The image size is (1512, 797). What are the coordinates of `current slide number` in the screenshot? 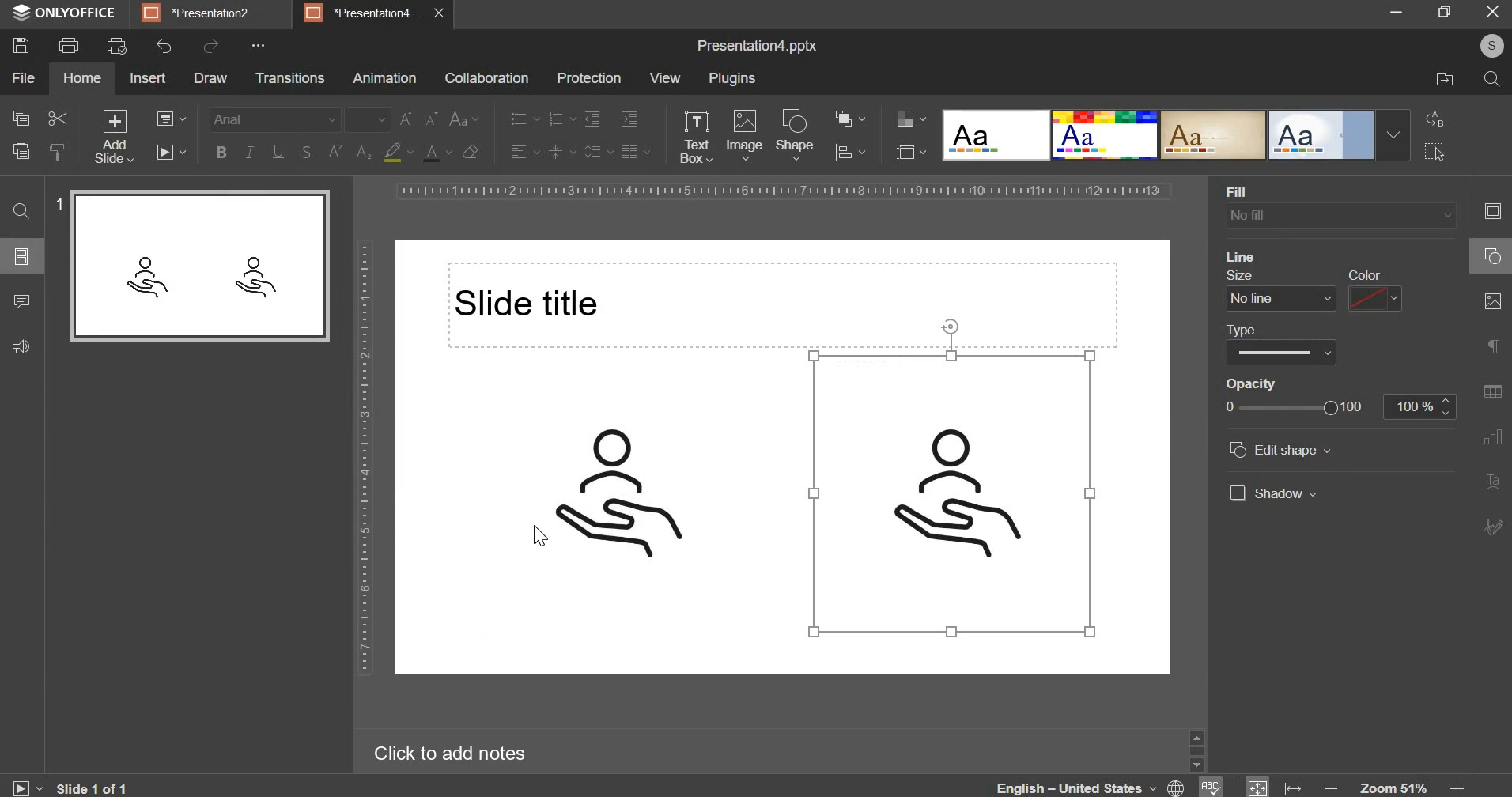 It's located at (96, 788).